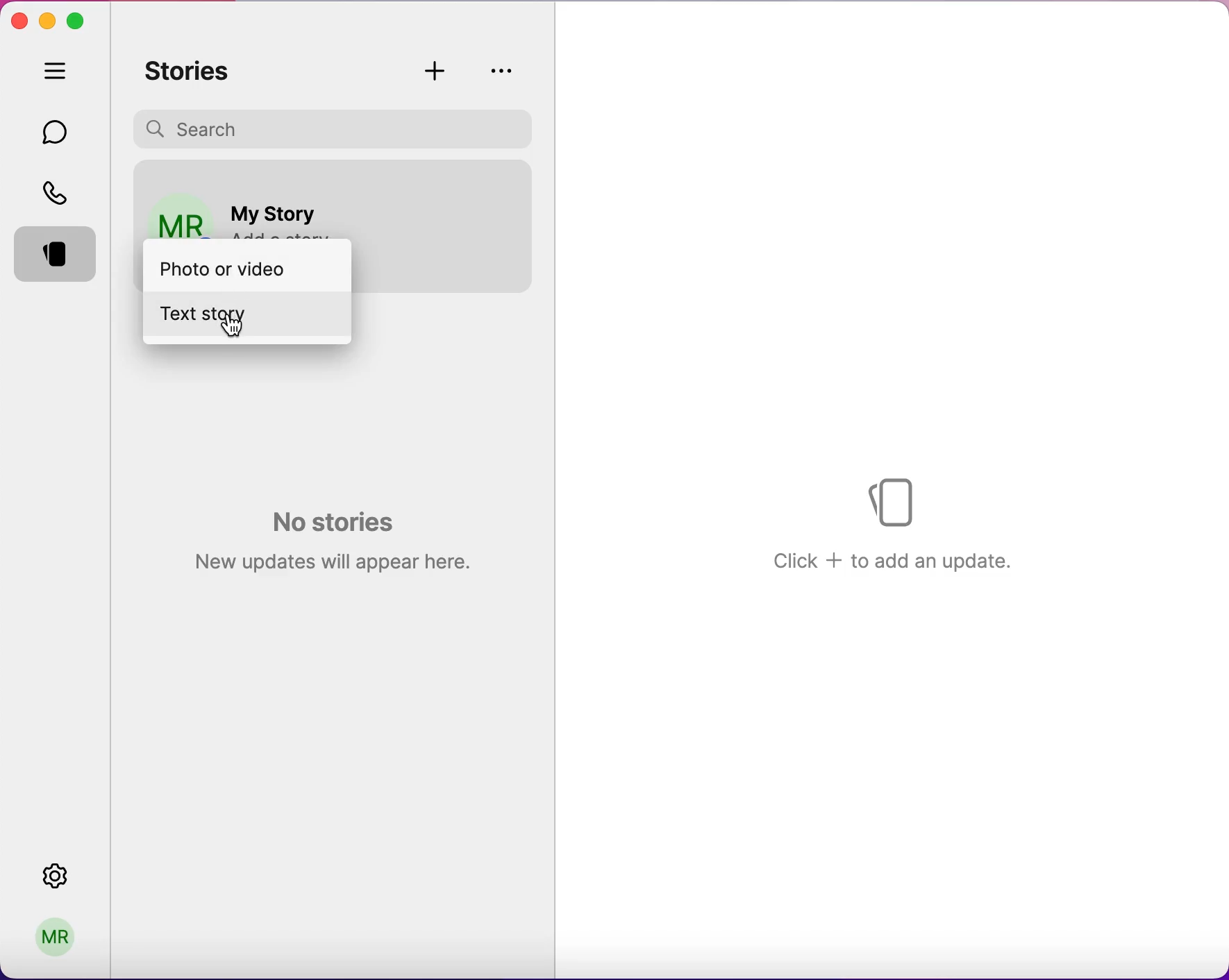 The image size is (1229, 980). What do you see at coordinates (235, 330) in the screenshot?
I see `cursor` at bounding box center [235, 330].